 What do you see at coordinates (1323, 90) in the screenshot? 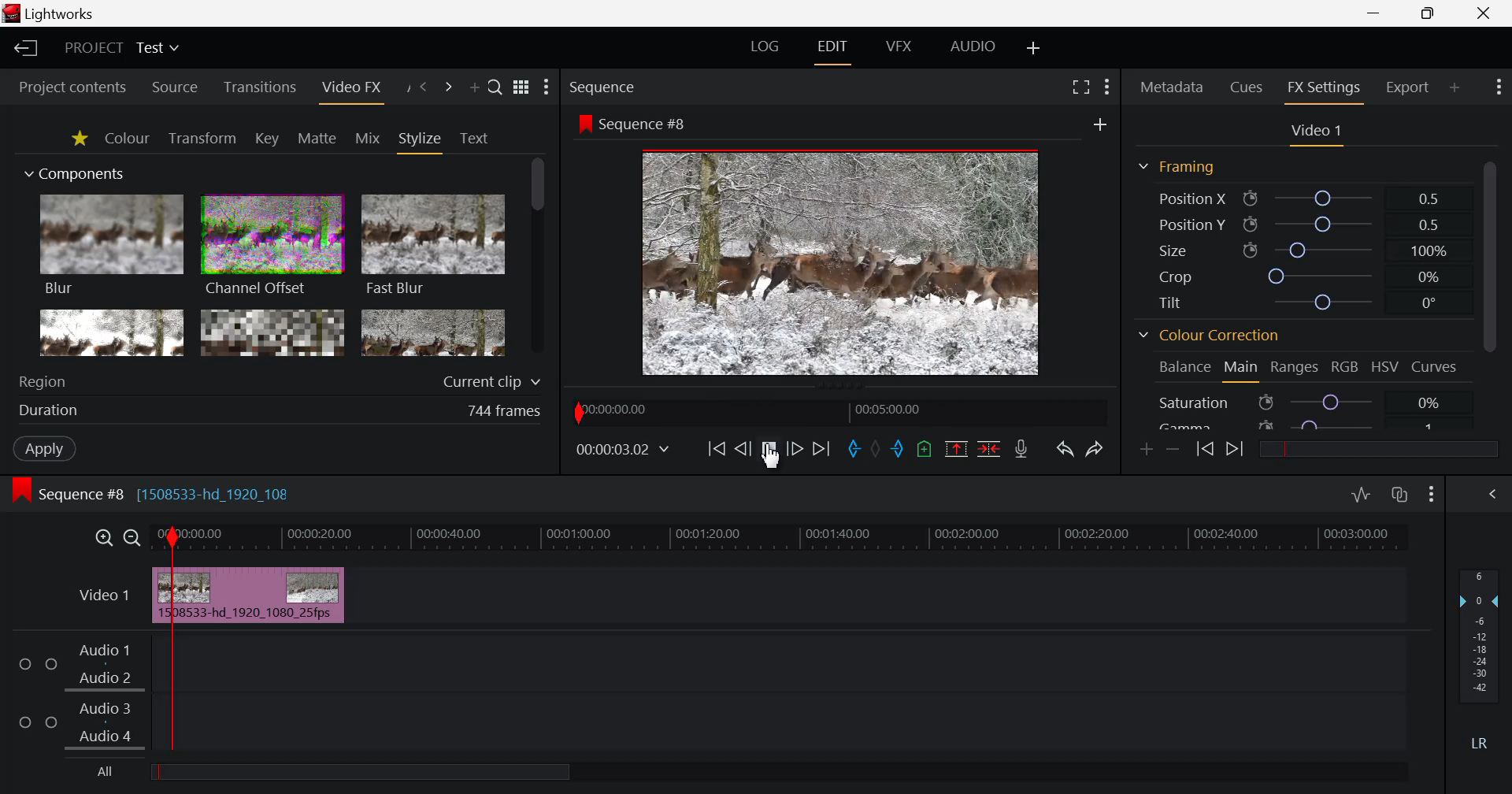
I see `FX Settings` at bounding box center [1323, 90].